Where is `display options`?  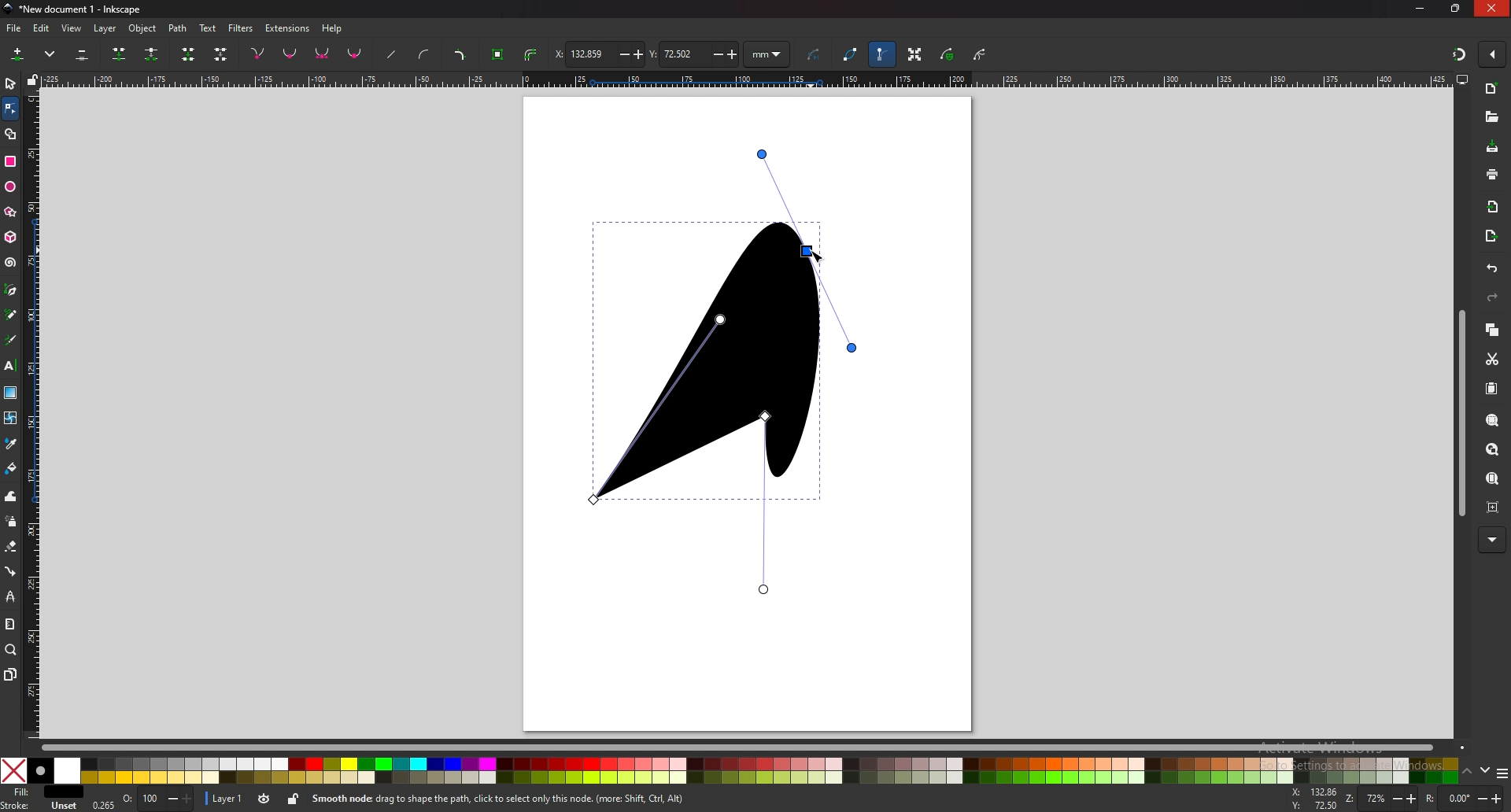
display options is located at coordinates (1463, 79).